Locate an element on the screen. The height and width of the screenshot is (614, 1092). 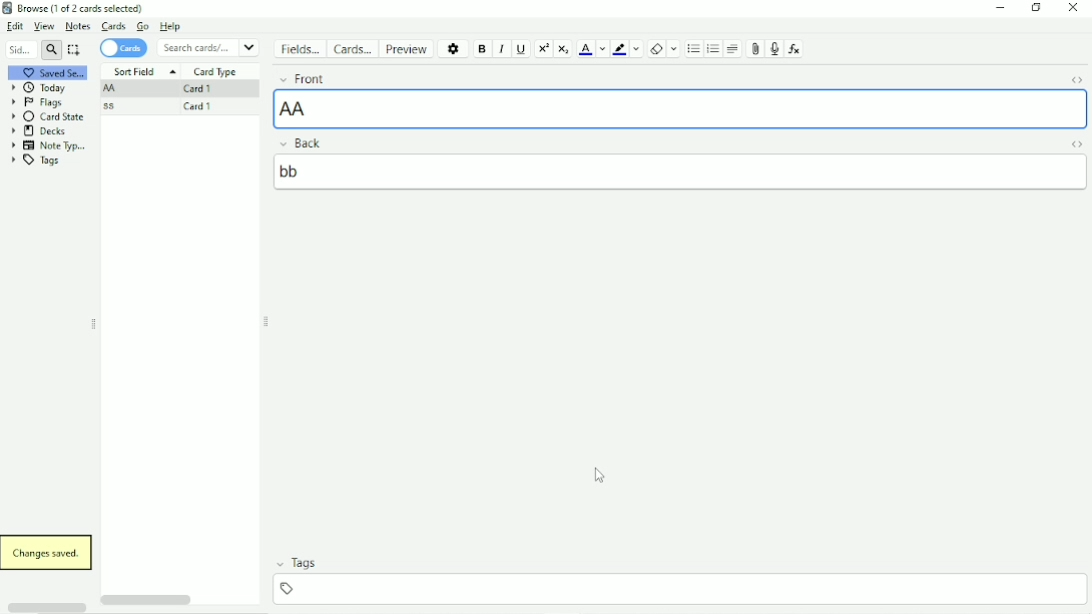
Card State is located at coordinates (49, 117).